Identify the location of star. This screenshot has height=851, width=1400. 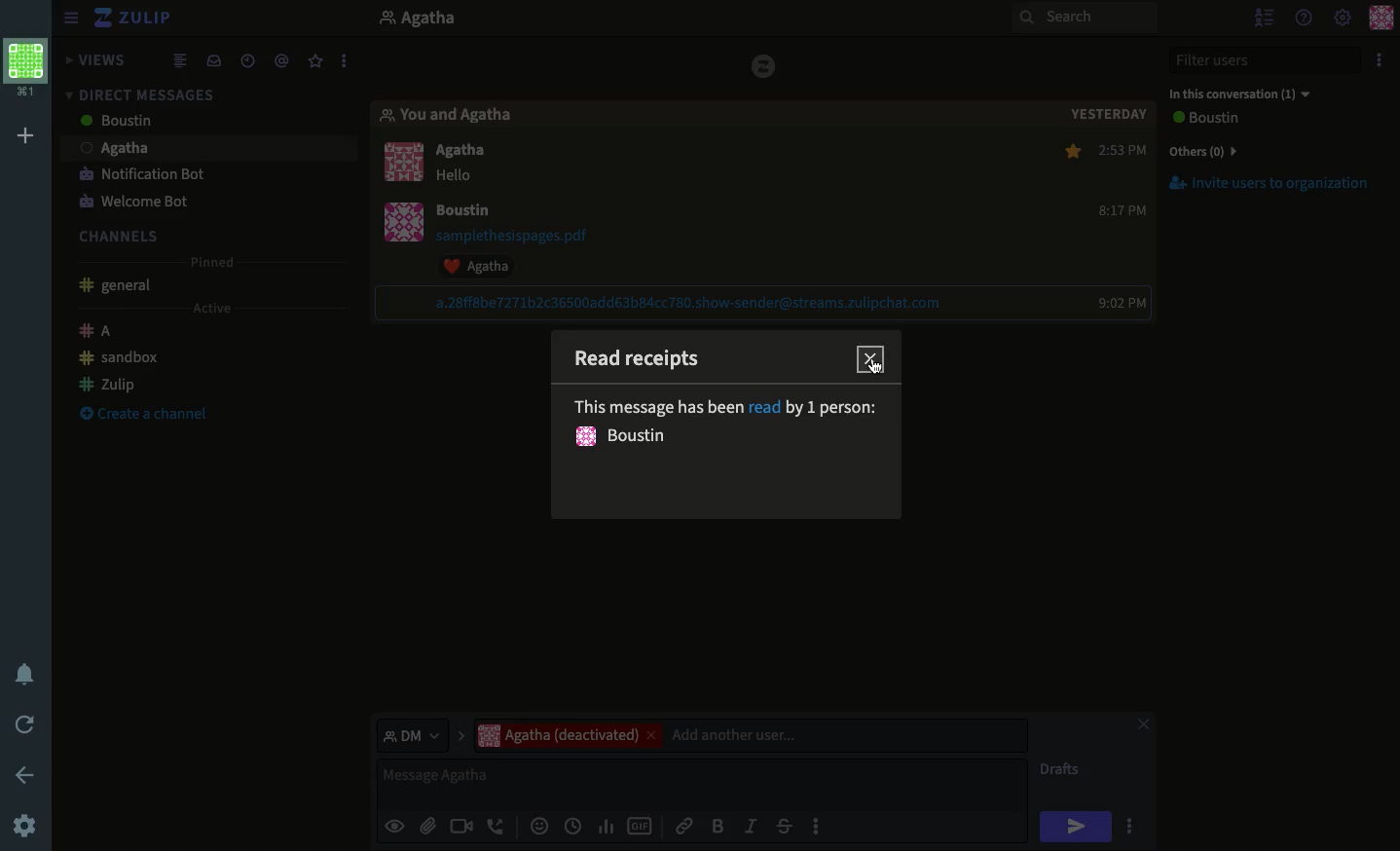
(1070, 150).